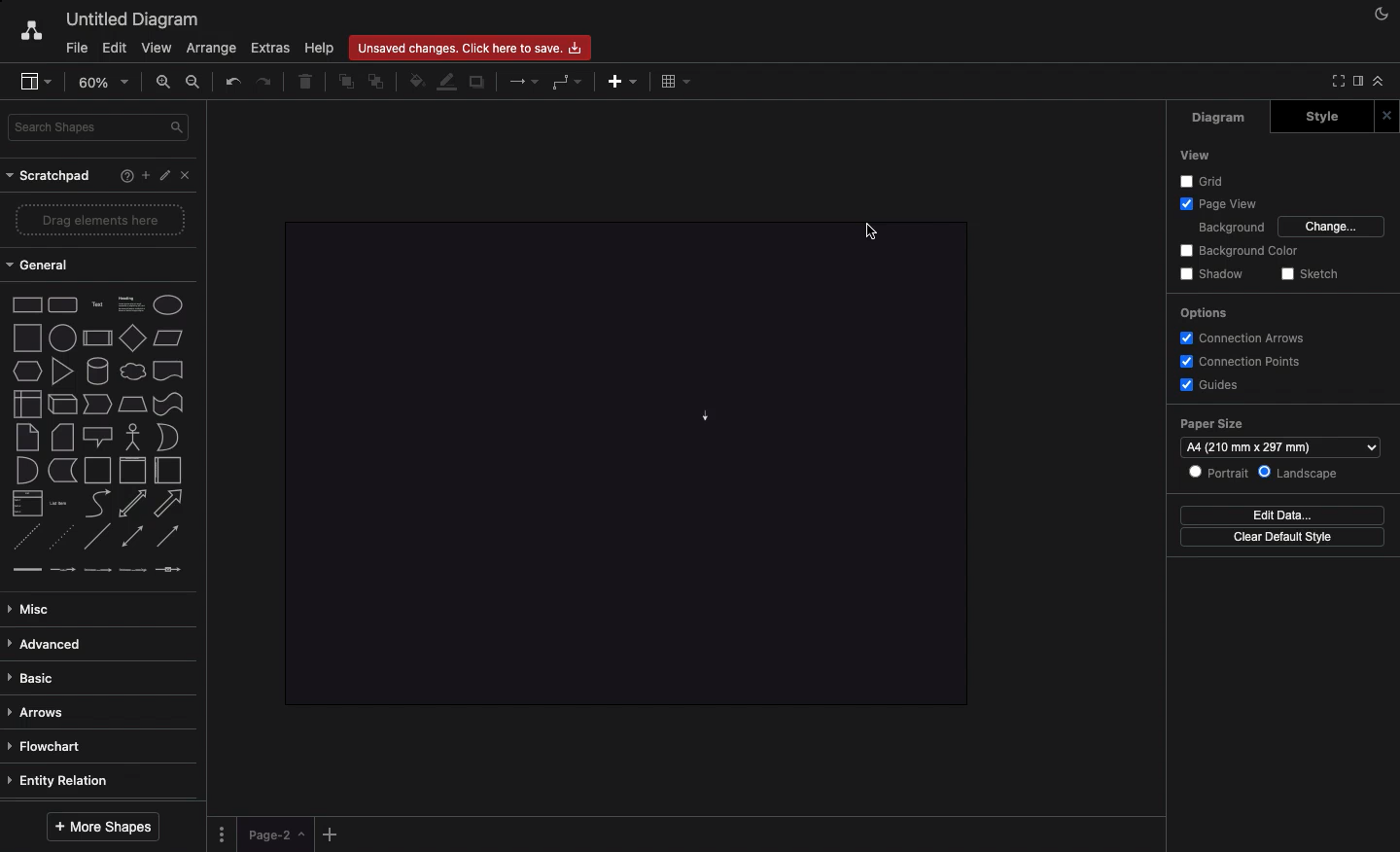 This screenshot has width=1400, height=852. Describe the element at coordinates (1217, 472) in the screenshot. I see `Portrait` at that location.